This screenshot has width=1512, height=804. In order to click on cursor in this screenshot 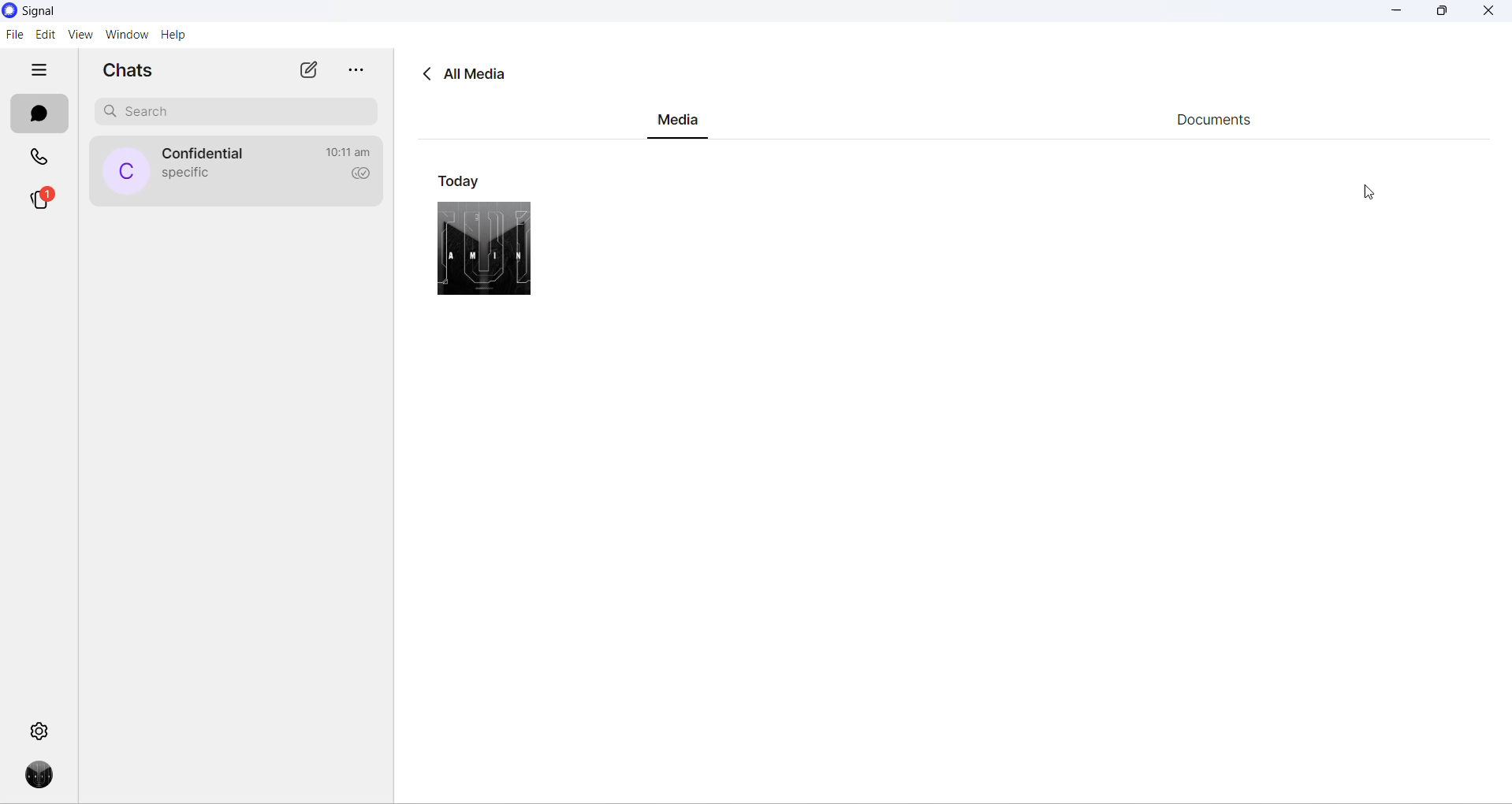, I will do `click(1371, 190)`.